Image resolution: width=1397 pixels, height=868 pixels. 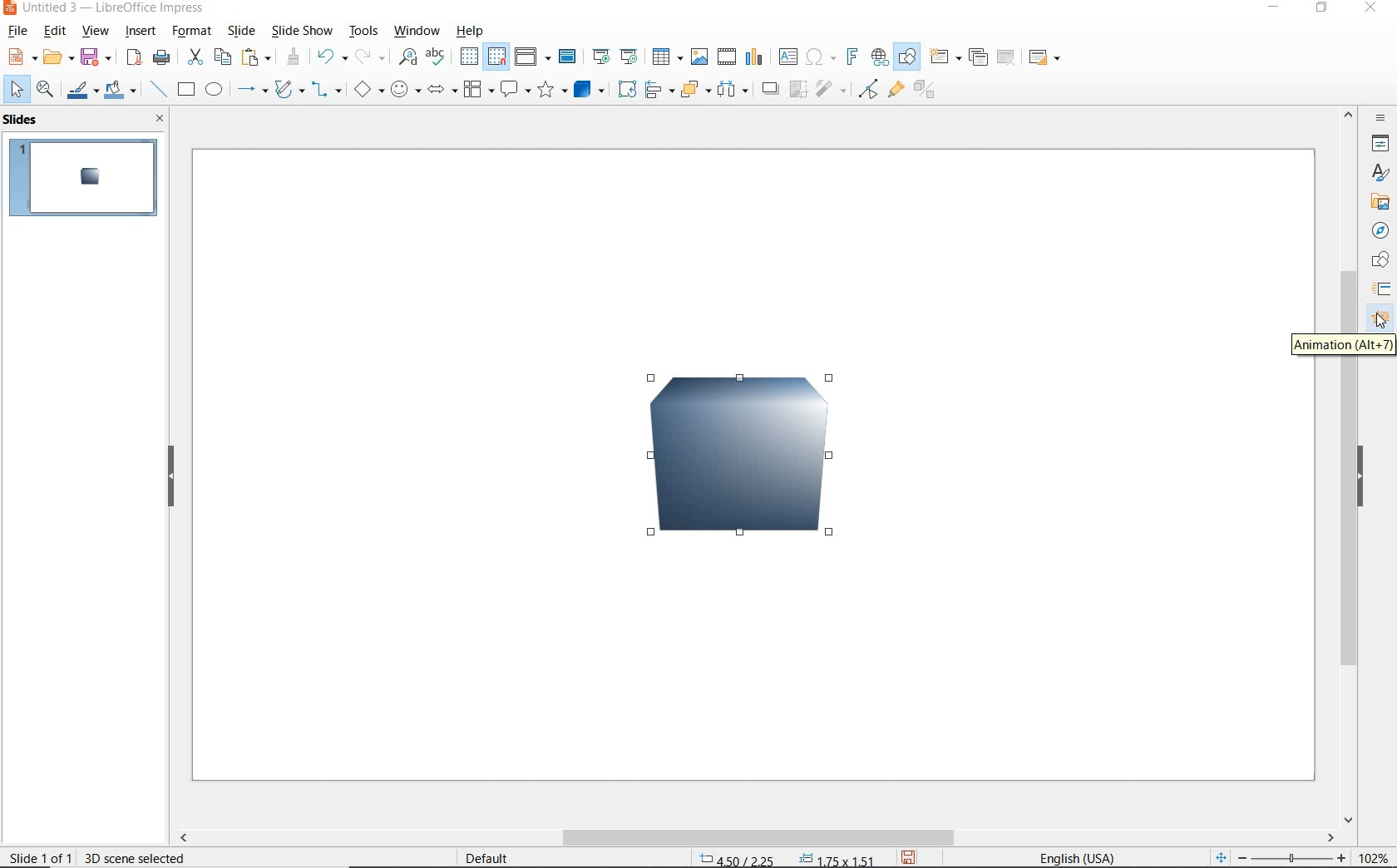 I want to click on 3 objects to distribute, so click(x=734, y=91).